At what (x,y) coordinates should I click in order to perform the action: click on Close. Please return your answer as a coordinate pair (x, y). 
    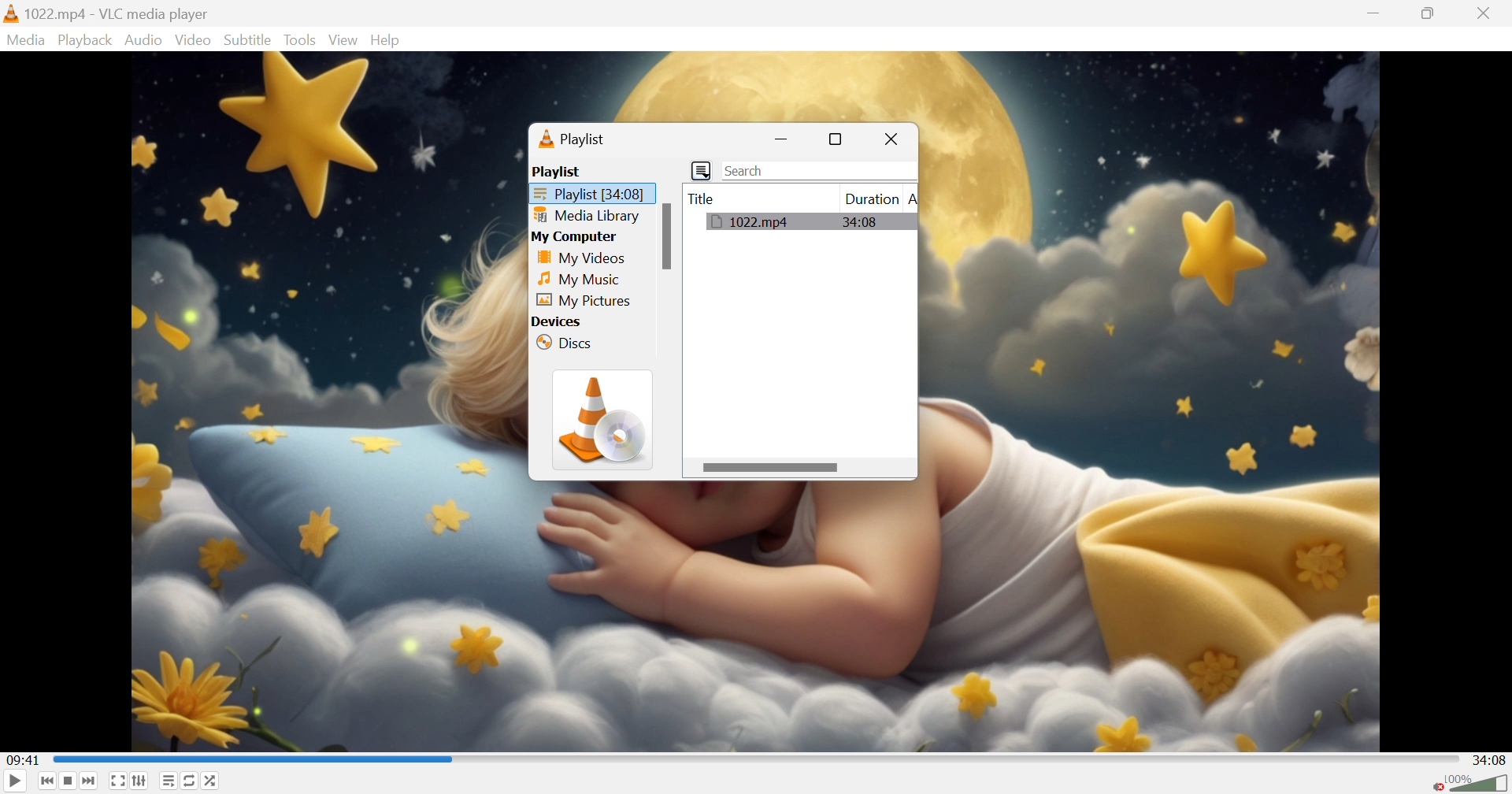
    Looking at the image, I should click on (1490, 12).